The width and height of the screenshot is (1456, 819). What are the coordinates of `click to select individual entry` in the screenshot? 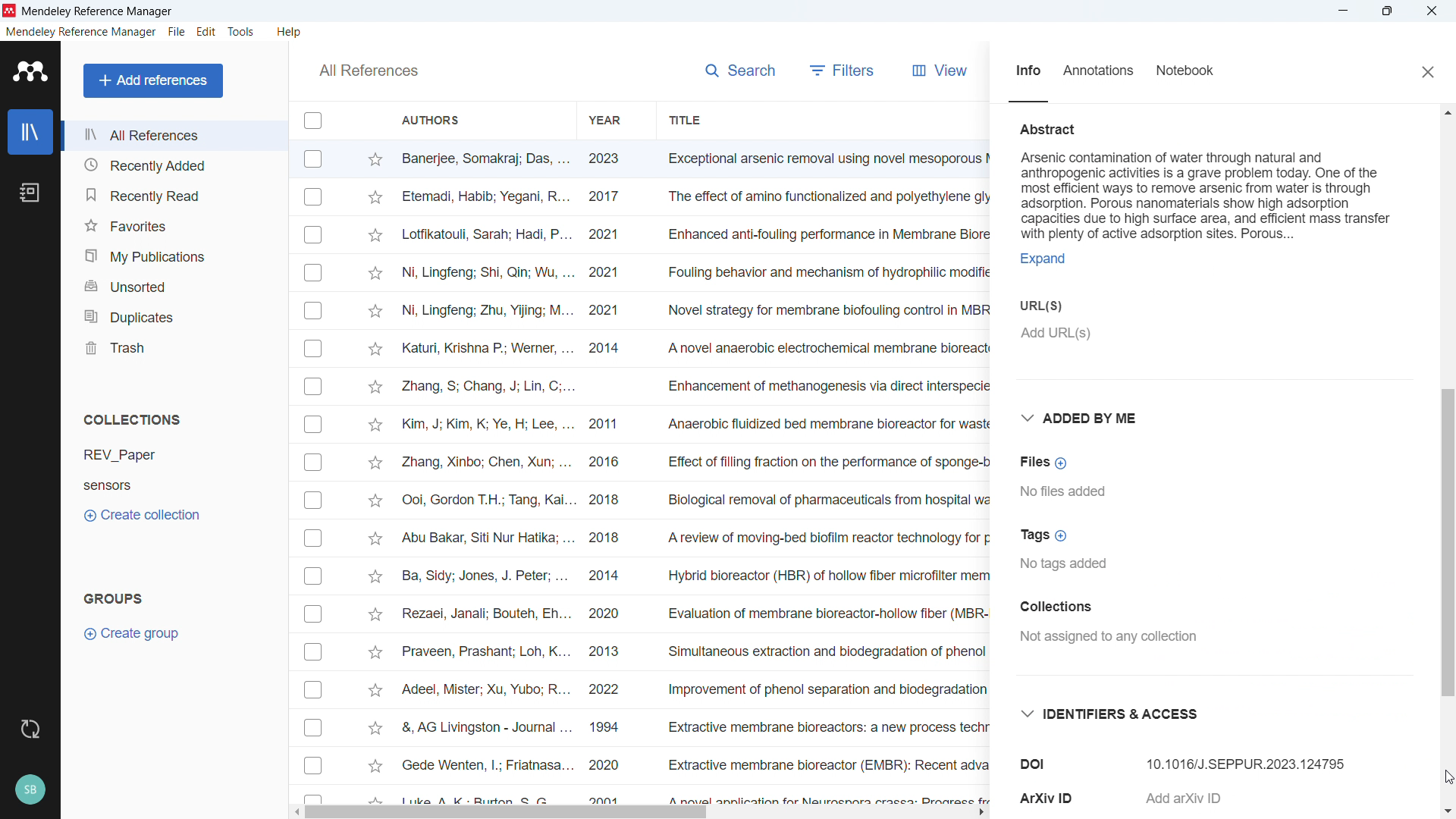 It's located at (315, 500).